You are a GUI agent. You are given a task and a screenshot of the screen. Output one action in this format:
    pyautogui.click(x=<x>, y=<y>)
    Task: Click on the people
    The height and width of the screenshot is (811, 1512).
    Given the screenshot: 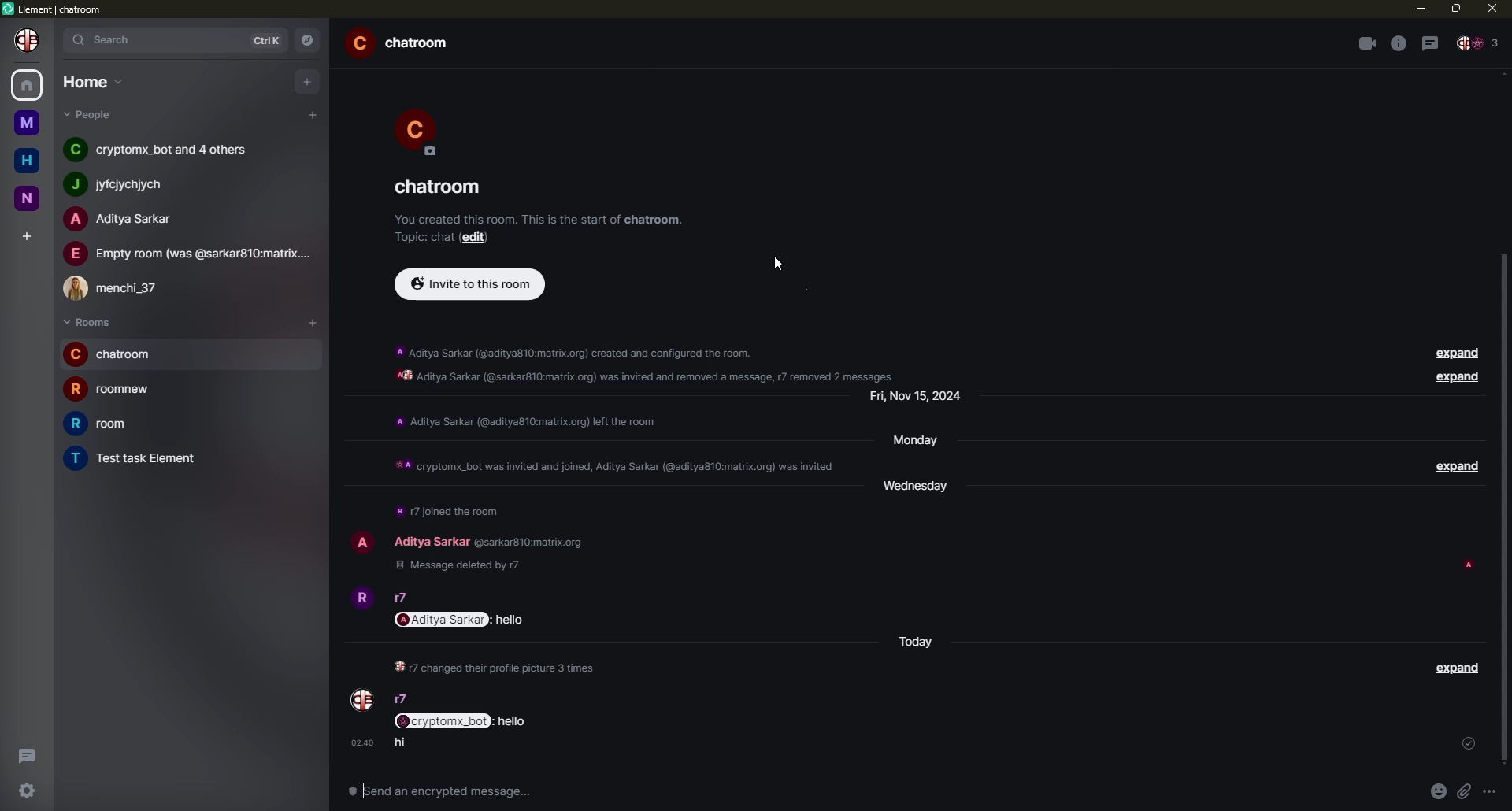 What is the action you would take?
    pyautogui.click(x=126, y=183)
    